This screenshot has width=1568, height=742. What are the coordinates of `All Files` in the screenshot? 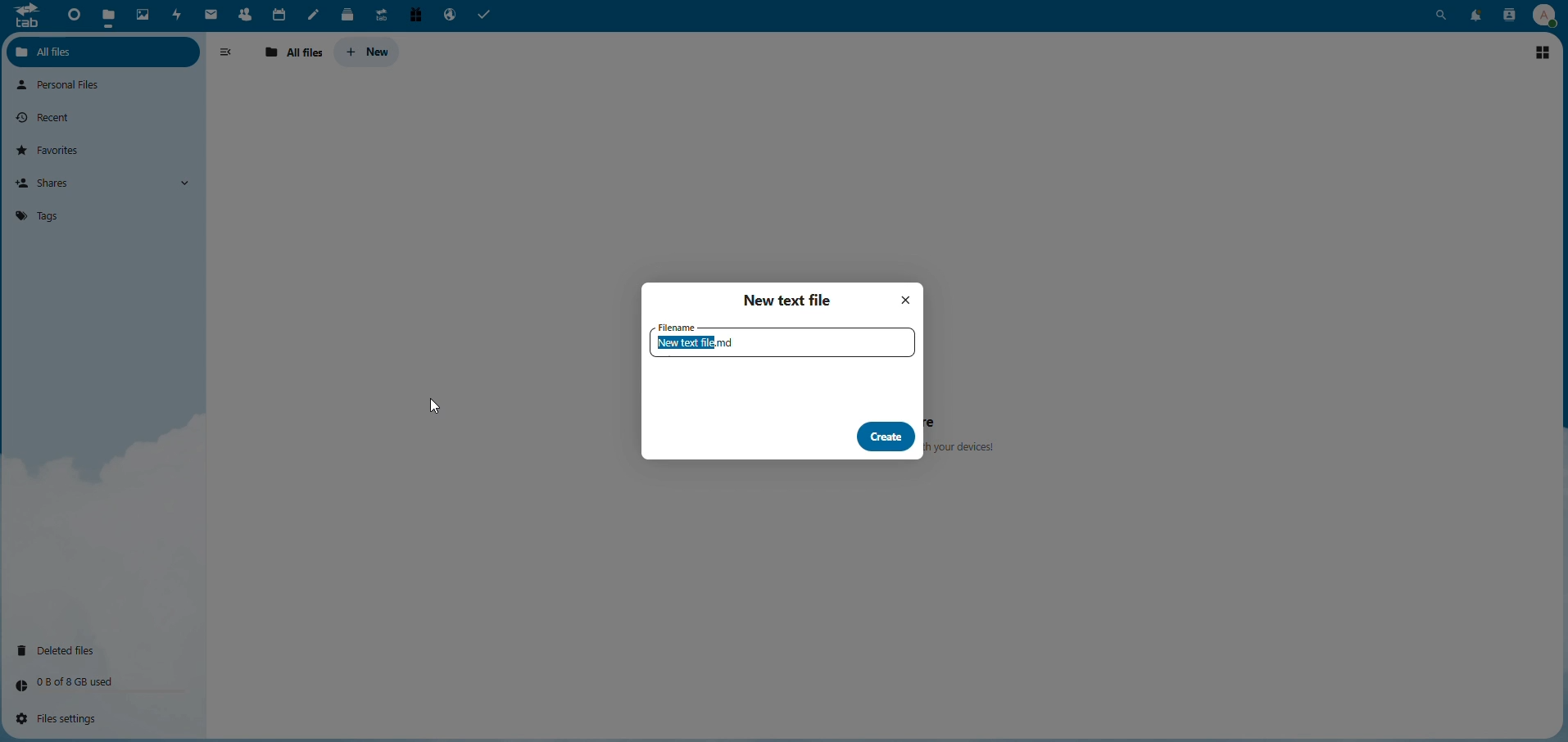 It's located at (63, 51).